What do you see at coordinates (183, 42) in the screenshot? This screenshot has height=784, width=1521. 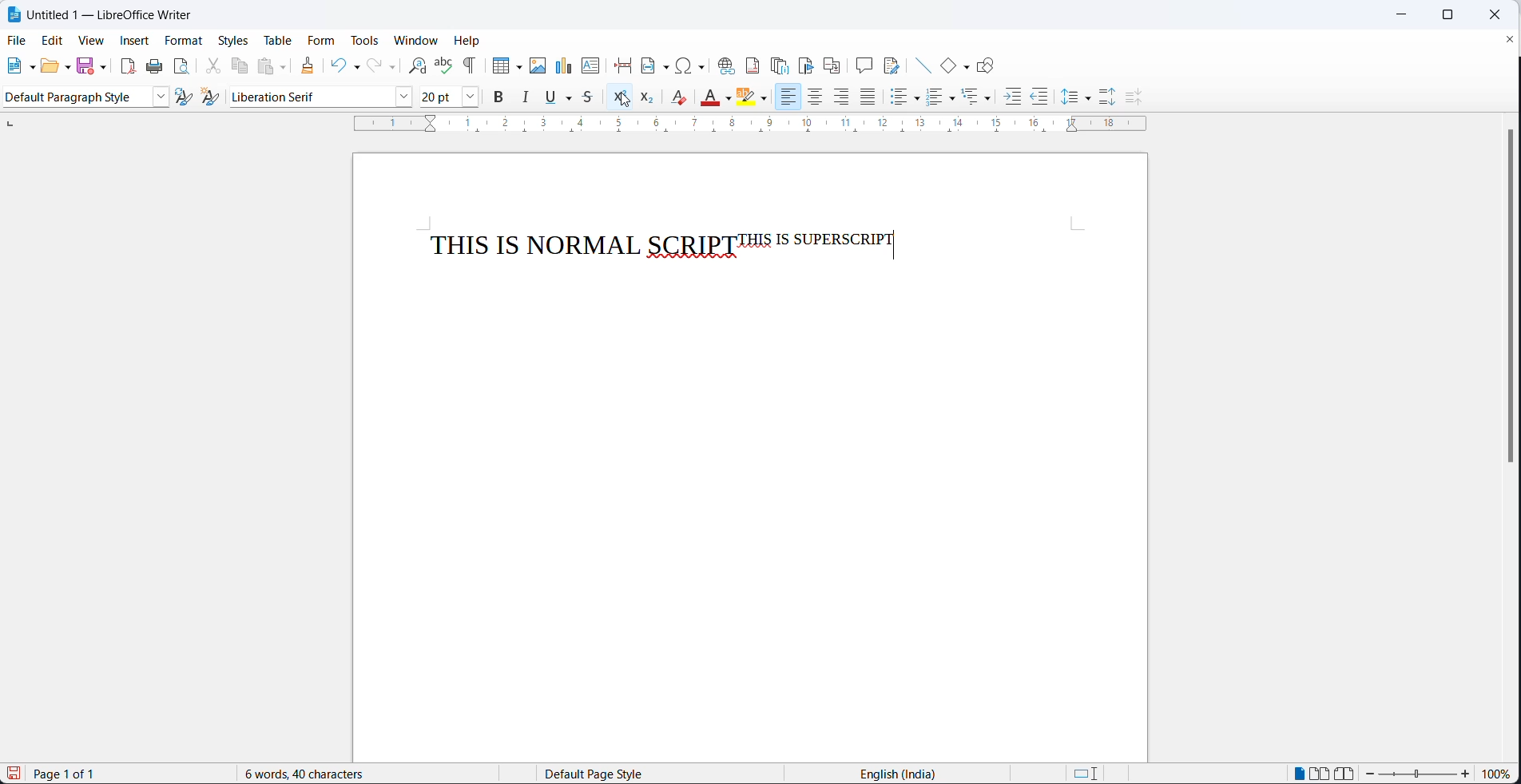 I see `format` at bounding box center [183, 42].